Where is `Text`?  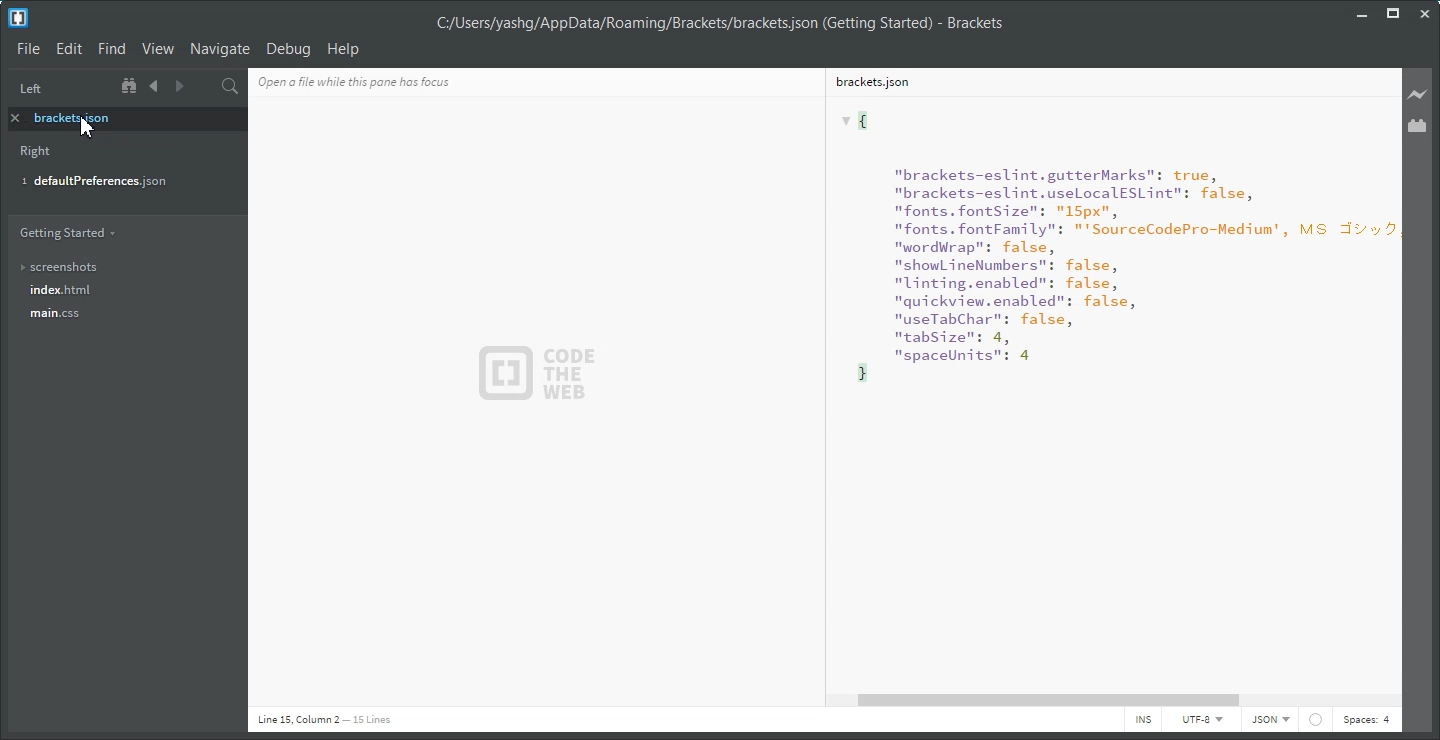 Text is located at coordinates (387, 80).